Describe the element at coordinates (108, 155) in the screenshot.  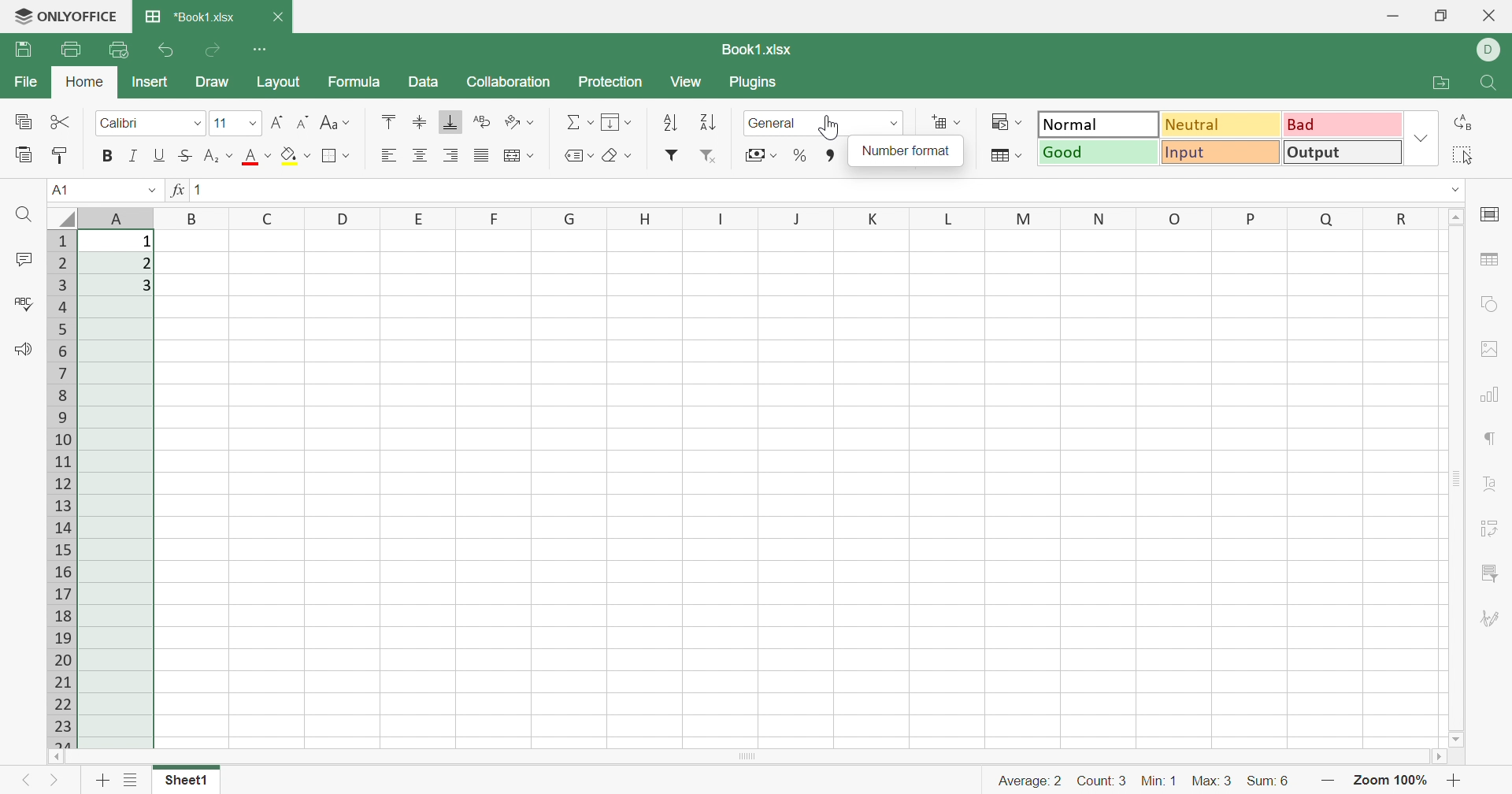
I see `Bold` at that location.